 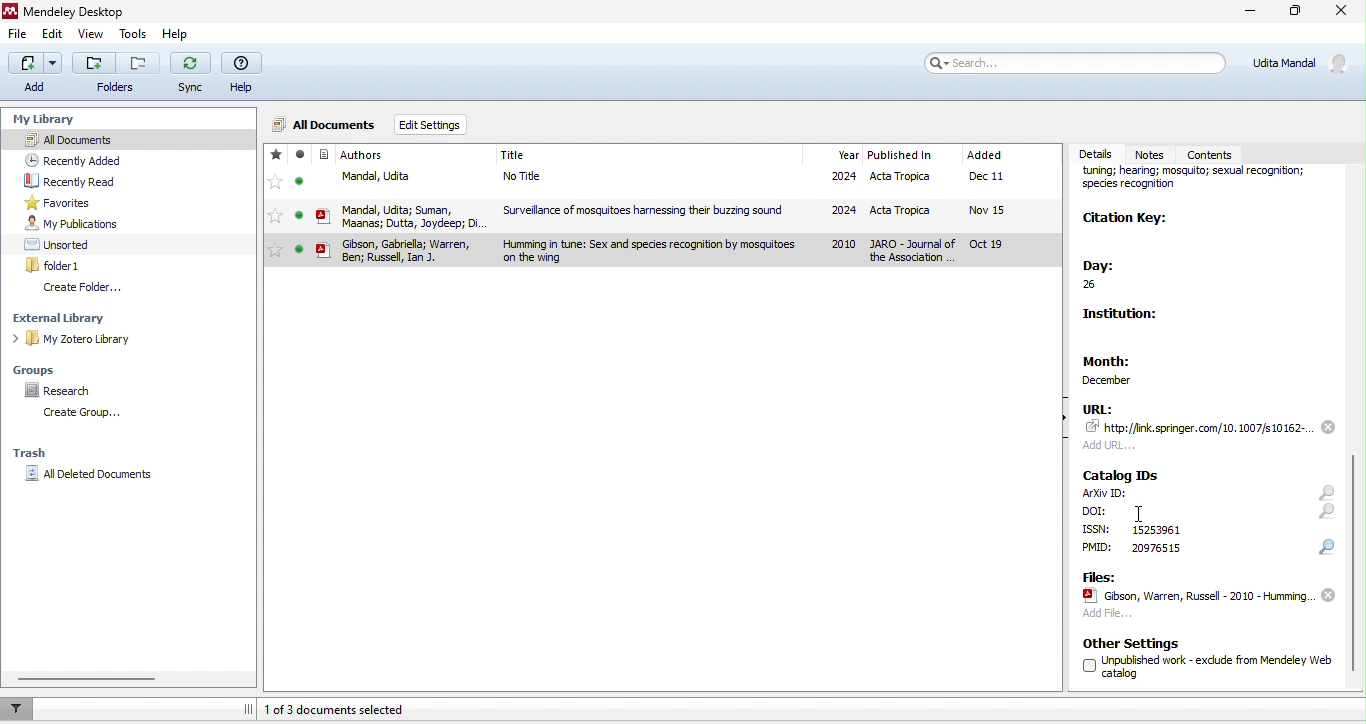 What do you see at coordinates (47, 116) in the screenshot?
I see `my library` at bounding box center [47, 116].